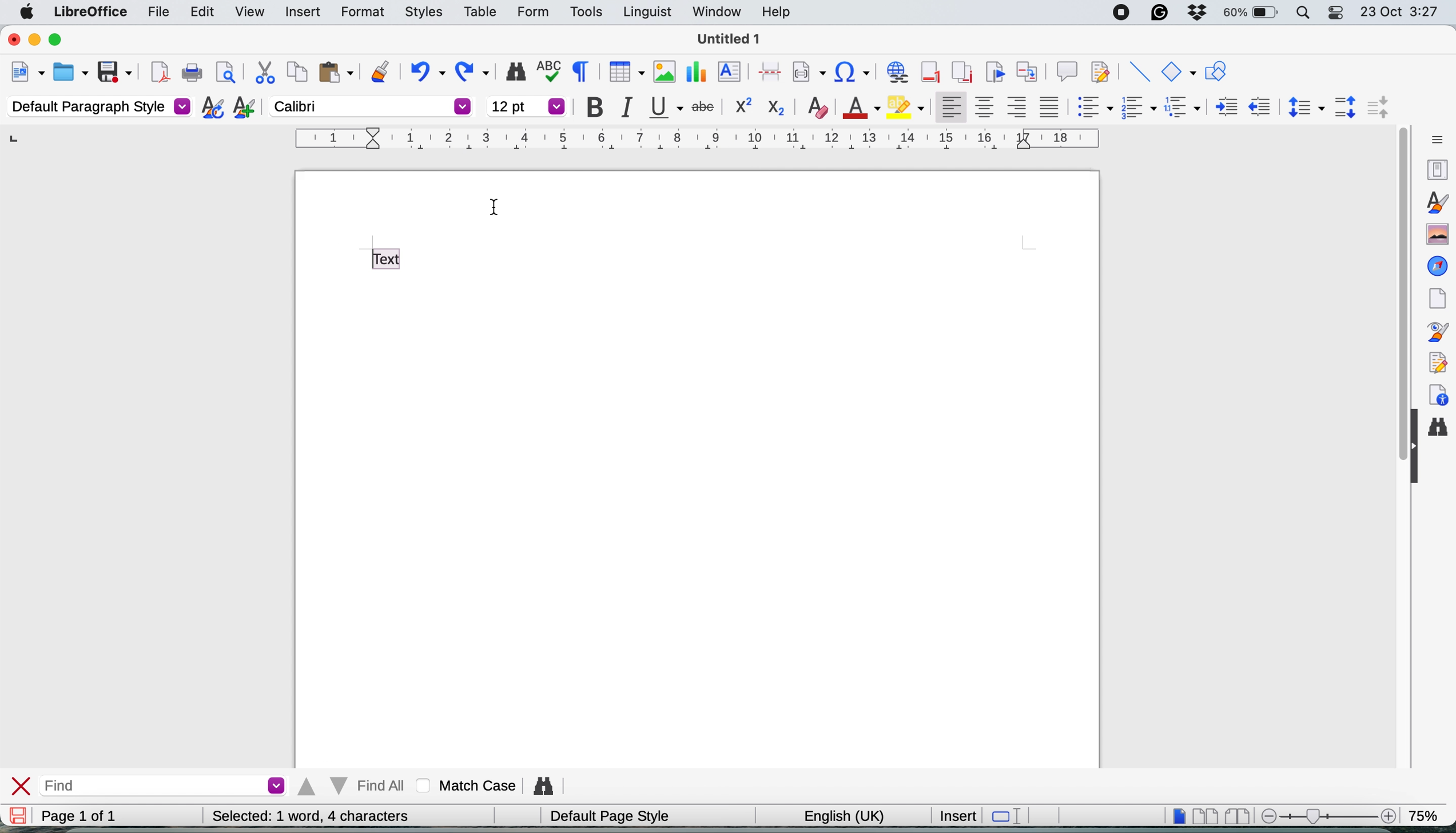  I want to click on cursor, so click(496, 204).